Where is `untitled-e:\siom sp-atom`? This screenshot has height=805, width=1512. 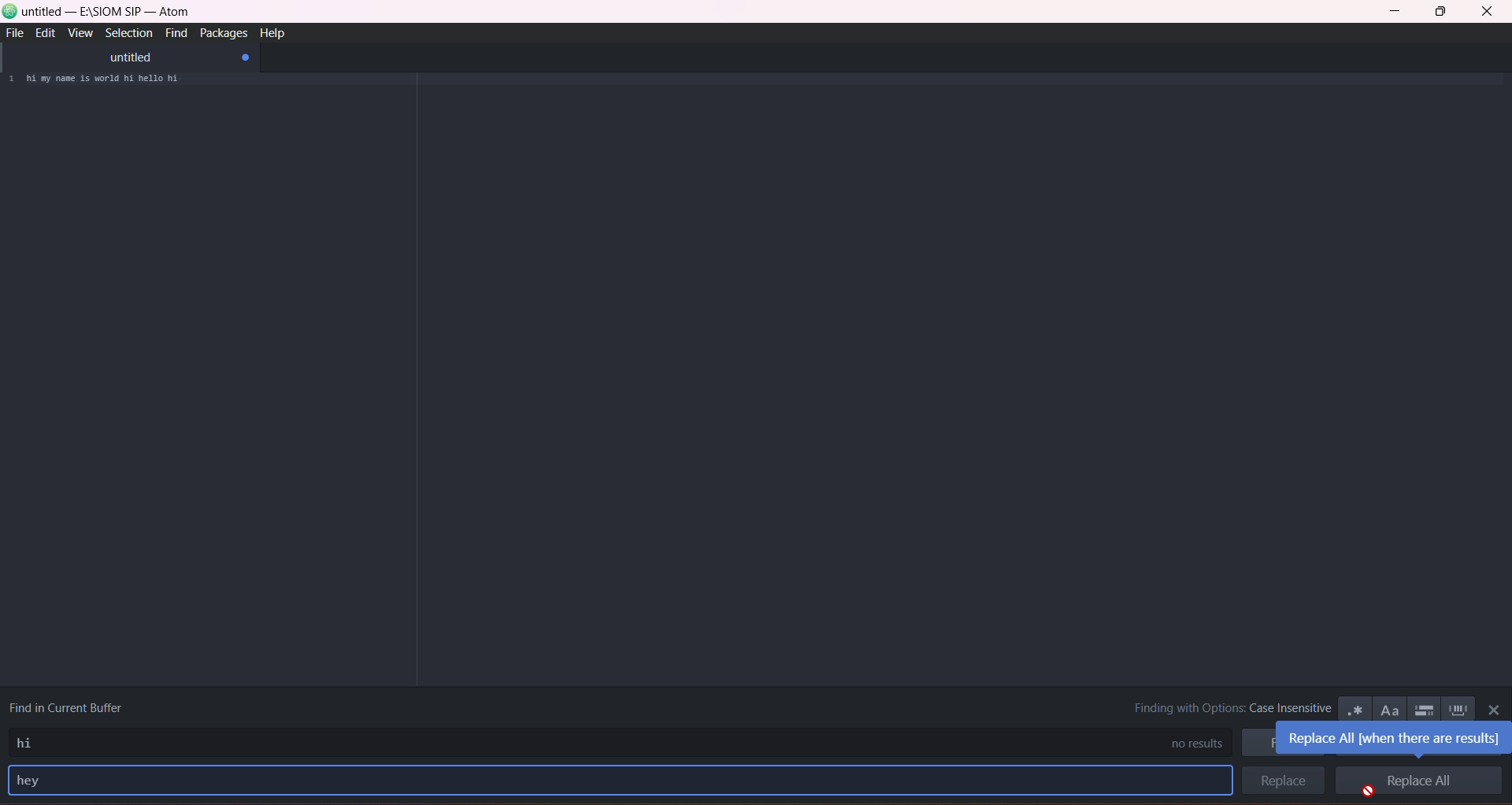
untitled-e:\siom sp-atom is located at coordinates (108, 13).